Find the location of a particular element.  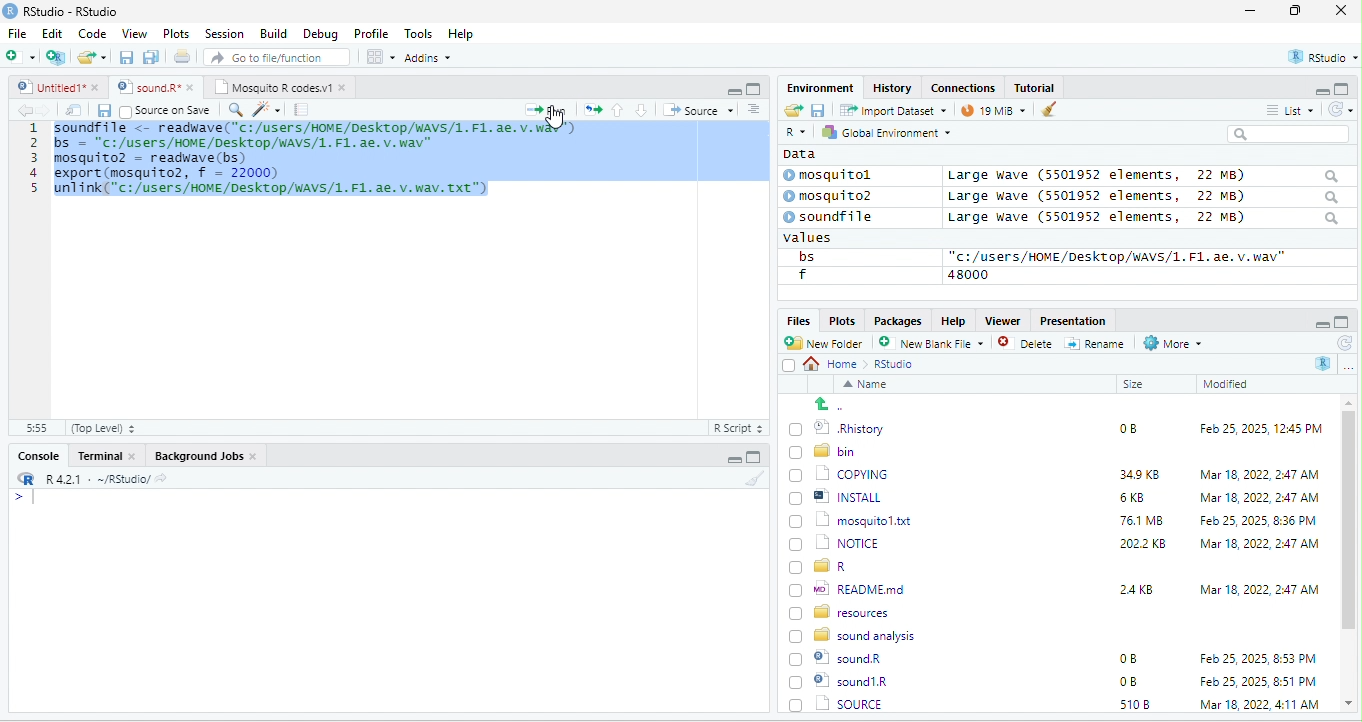

(7) 1 NOTICE is located at coordinates (832, 544).